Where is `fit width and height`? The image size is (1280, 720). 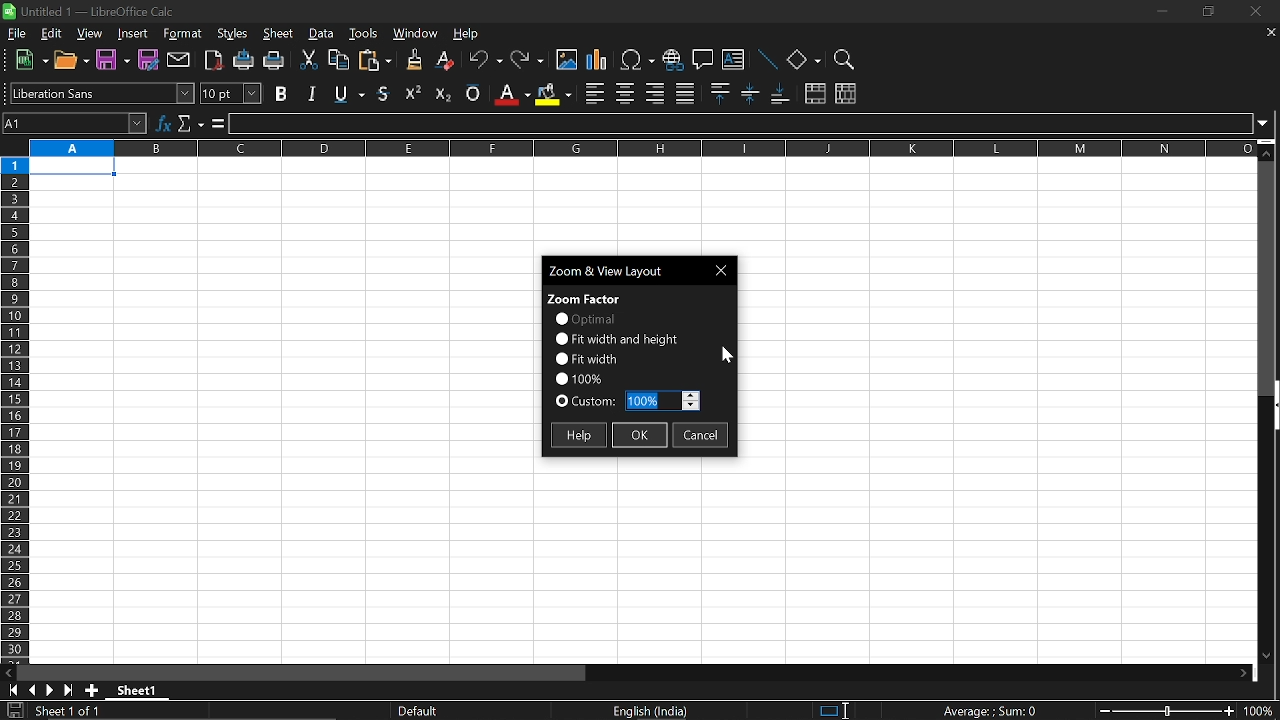
fit width and height is located at coordinates (619, 338).